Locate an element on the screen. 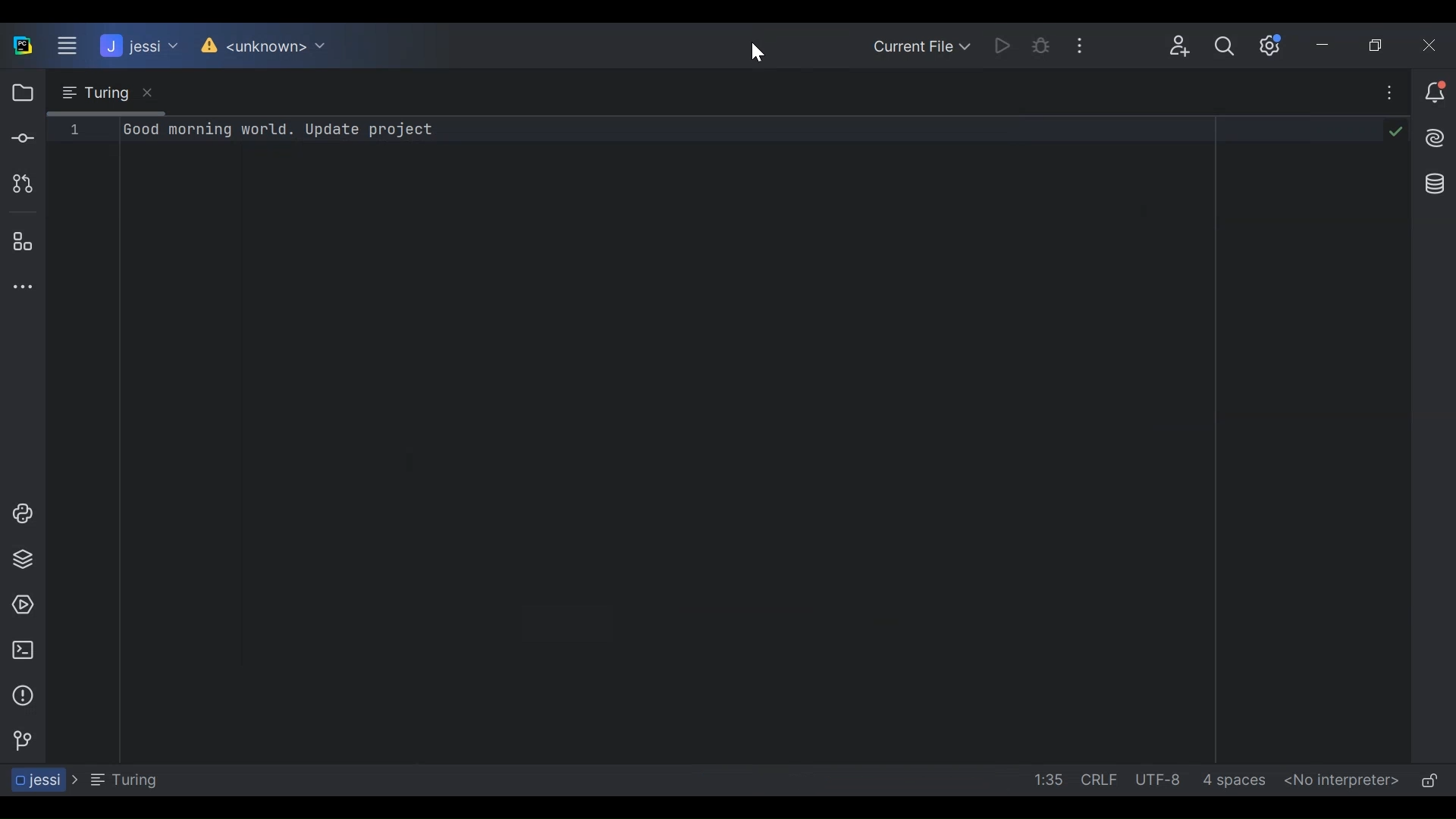  Close is located at coordinates (1435, 45).